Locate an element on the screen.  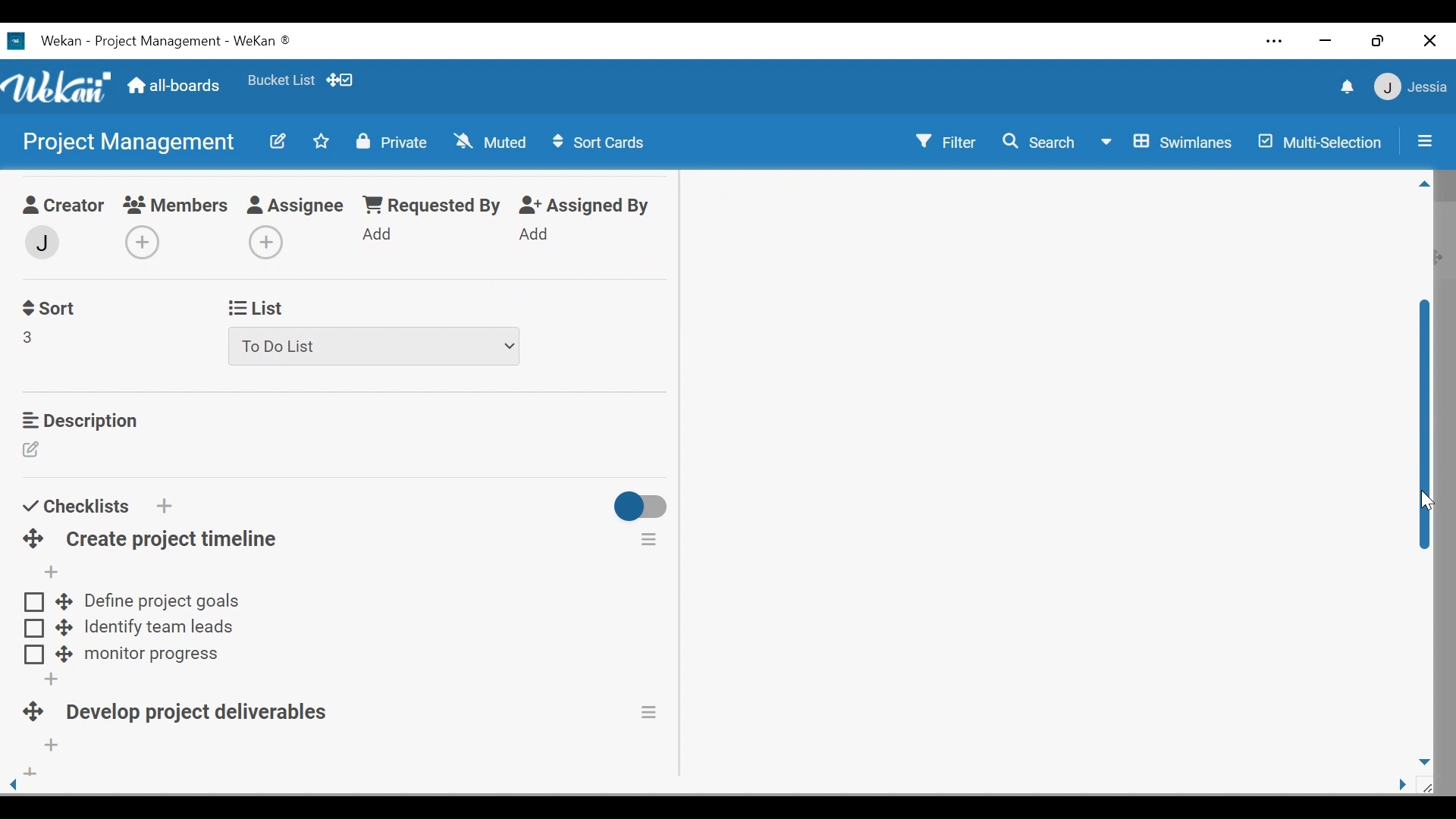
Requested by is located at coordinates (430, 206).